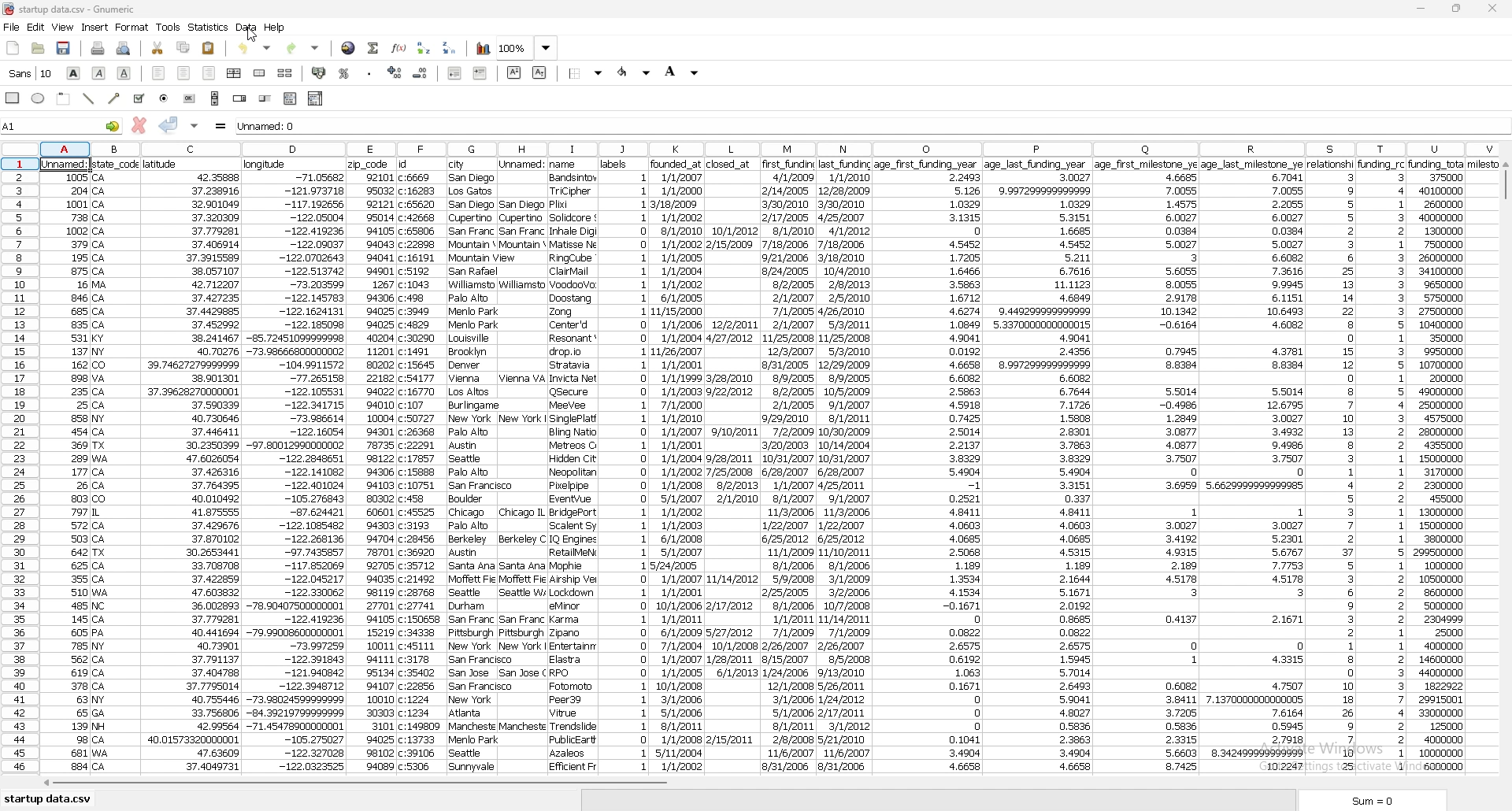 The width and height of the screenshot is (1512, 811). Describe the element at coordinates (731, 462) in the screenshot. I see `data` at that location.